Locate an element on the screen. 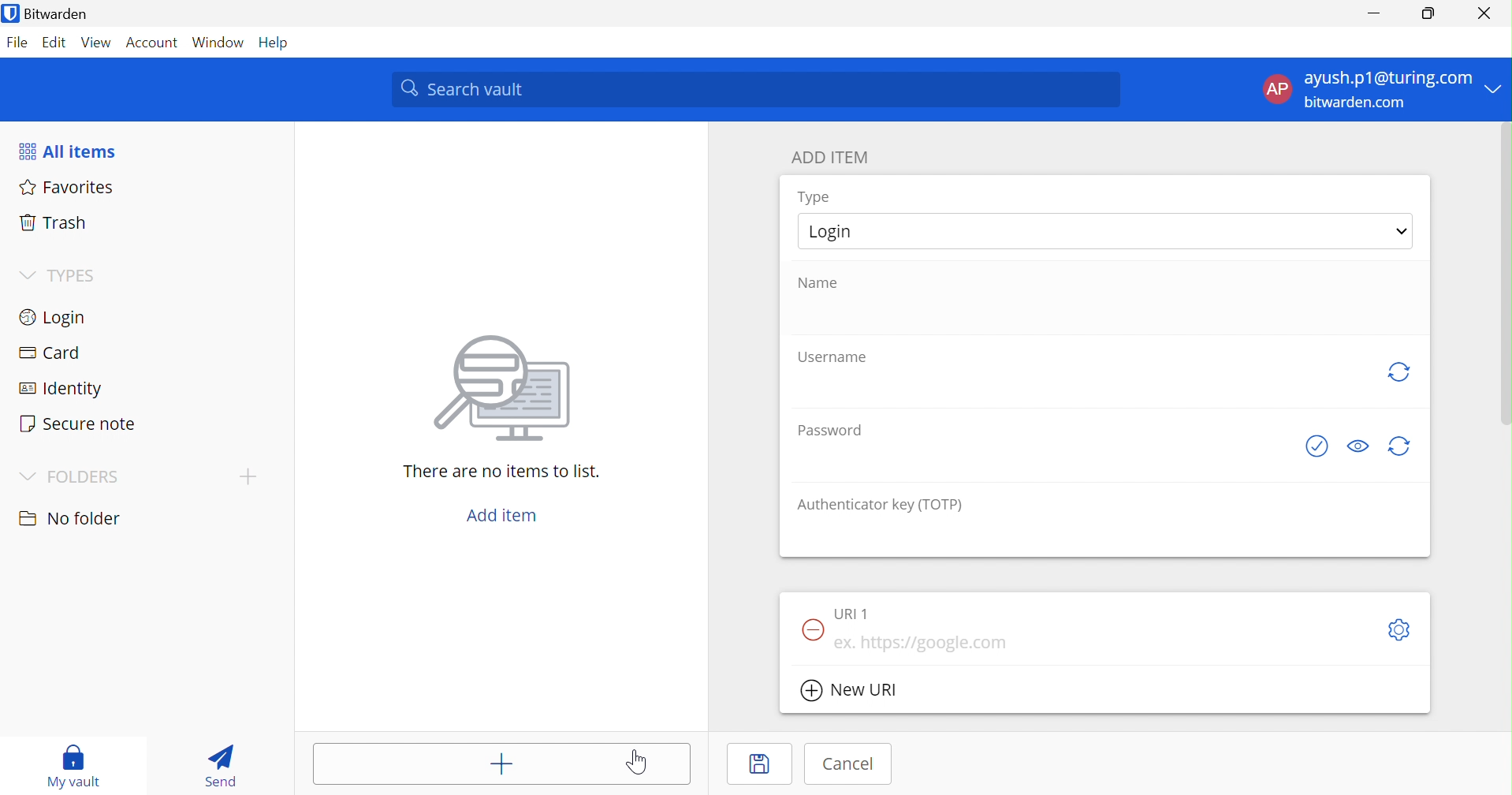 The width and height of the screenshot is (1512, 795). My vault is located at coordinates (76, 765).